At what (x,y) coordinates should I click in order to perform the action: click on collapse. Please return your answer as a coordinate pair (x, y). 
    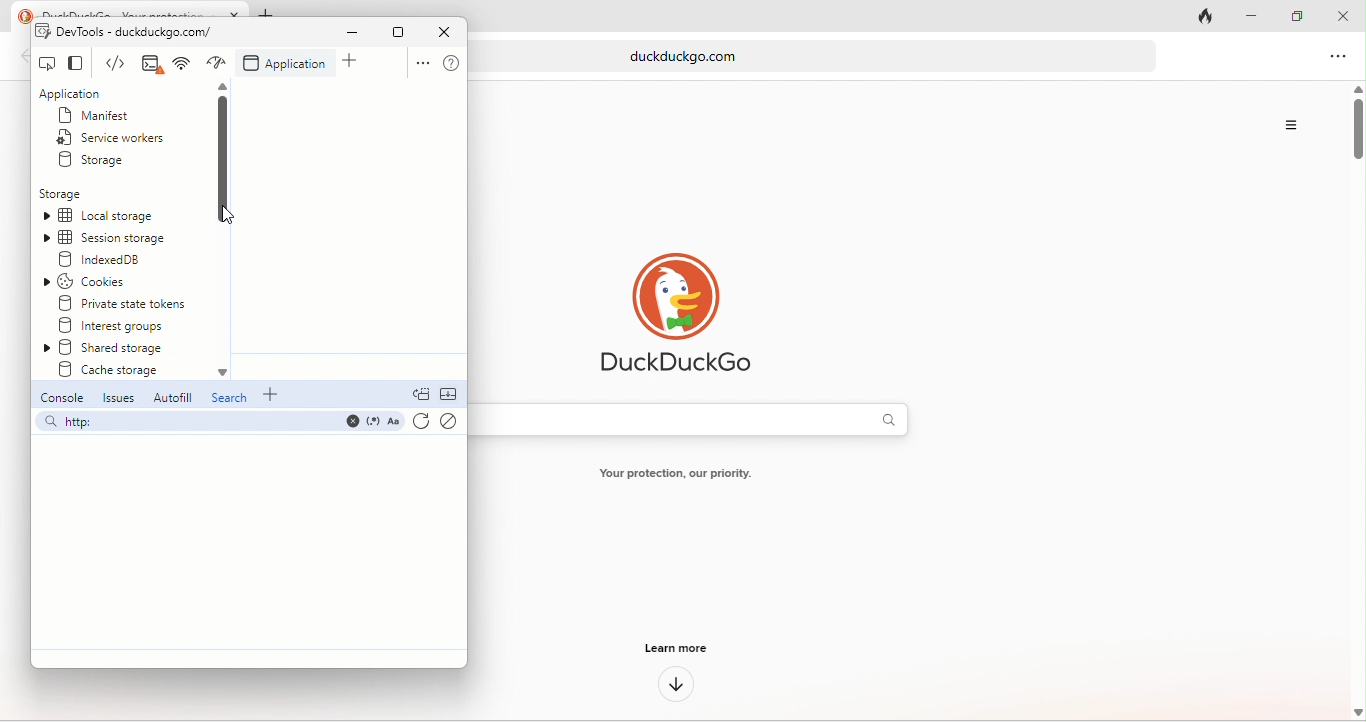
    Looking at the image, I should click on (452, 396).